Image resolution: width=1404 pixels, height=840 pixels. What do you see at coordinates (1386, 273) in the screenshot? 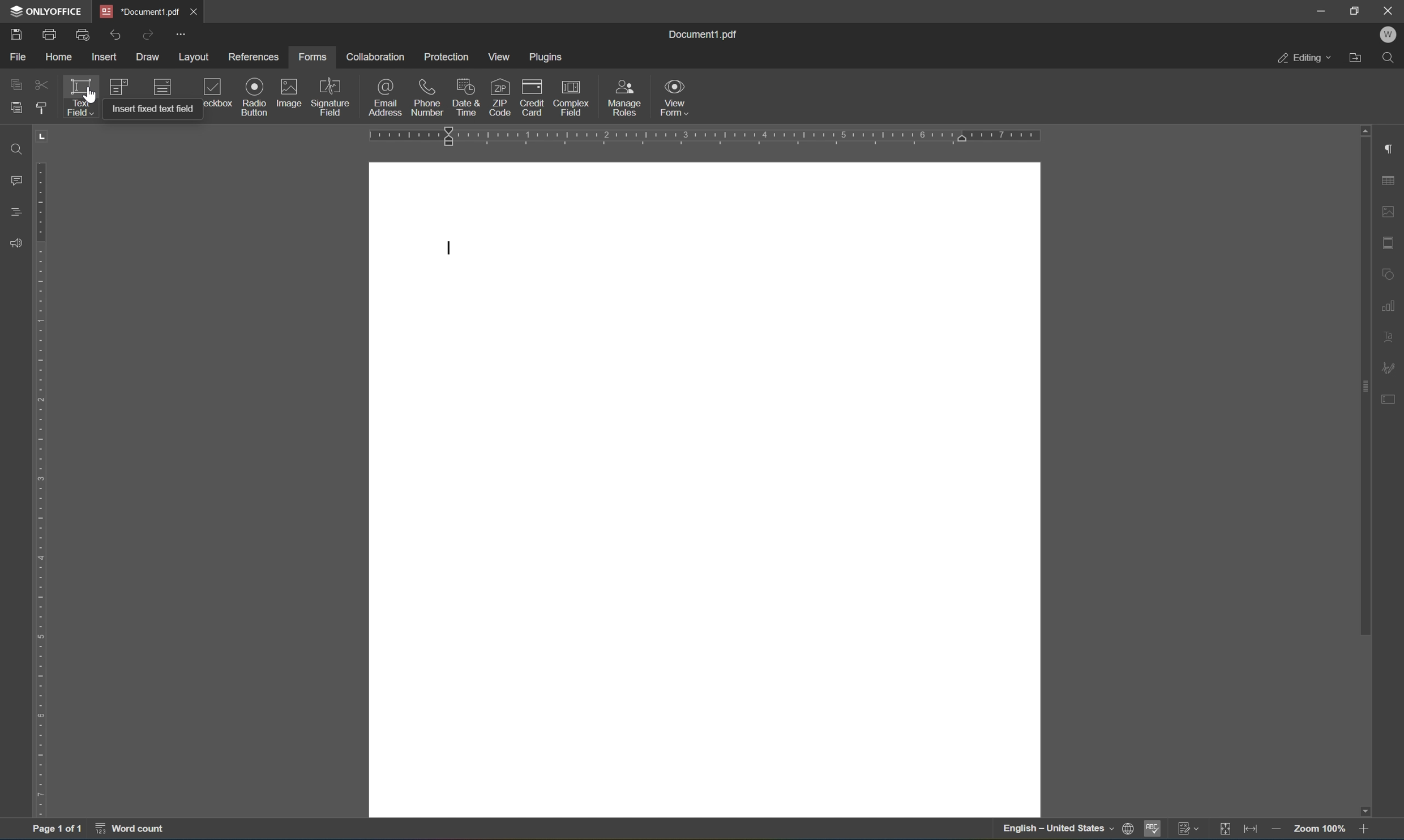
I see `shape settings` at bounding box center [1386, 273].